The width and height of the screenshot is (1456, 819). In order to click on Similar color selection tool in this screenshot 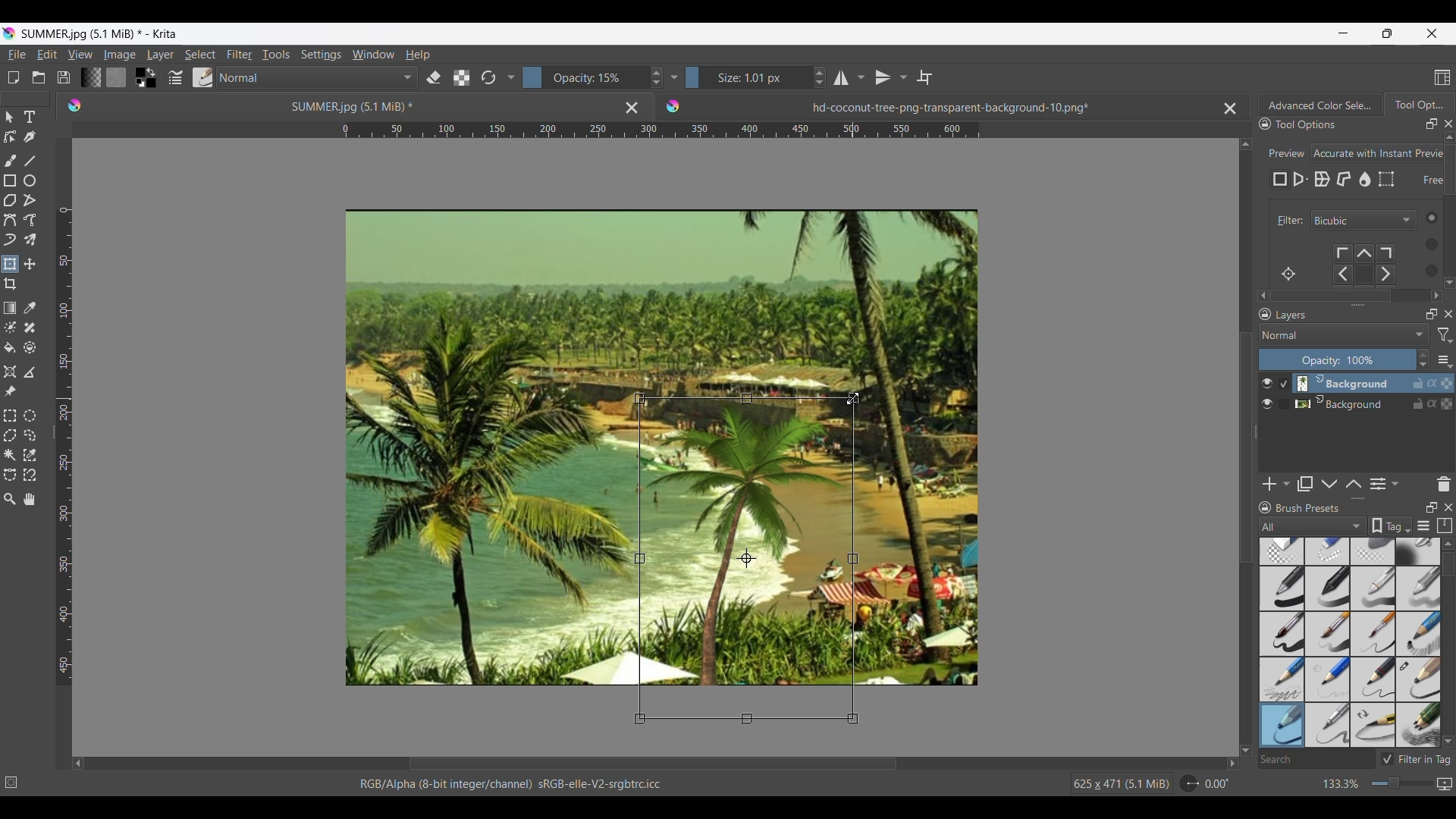, I will do `click(30, 454)`.